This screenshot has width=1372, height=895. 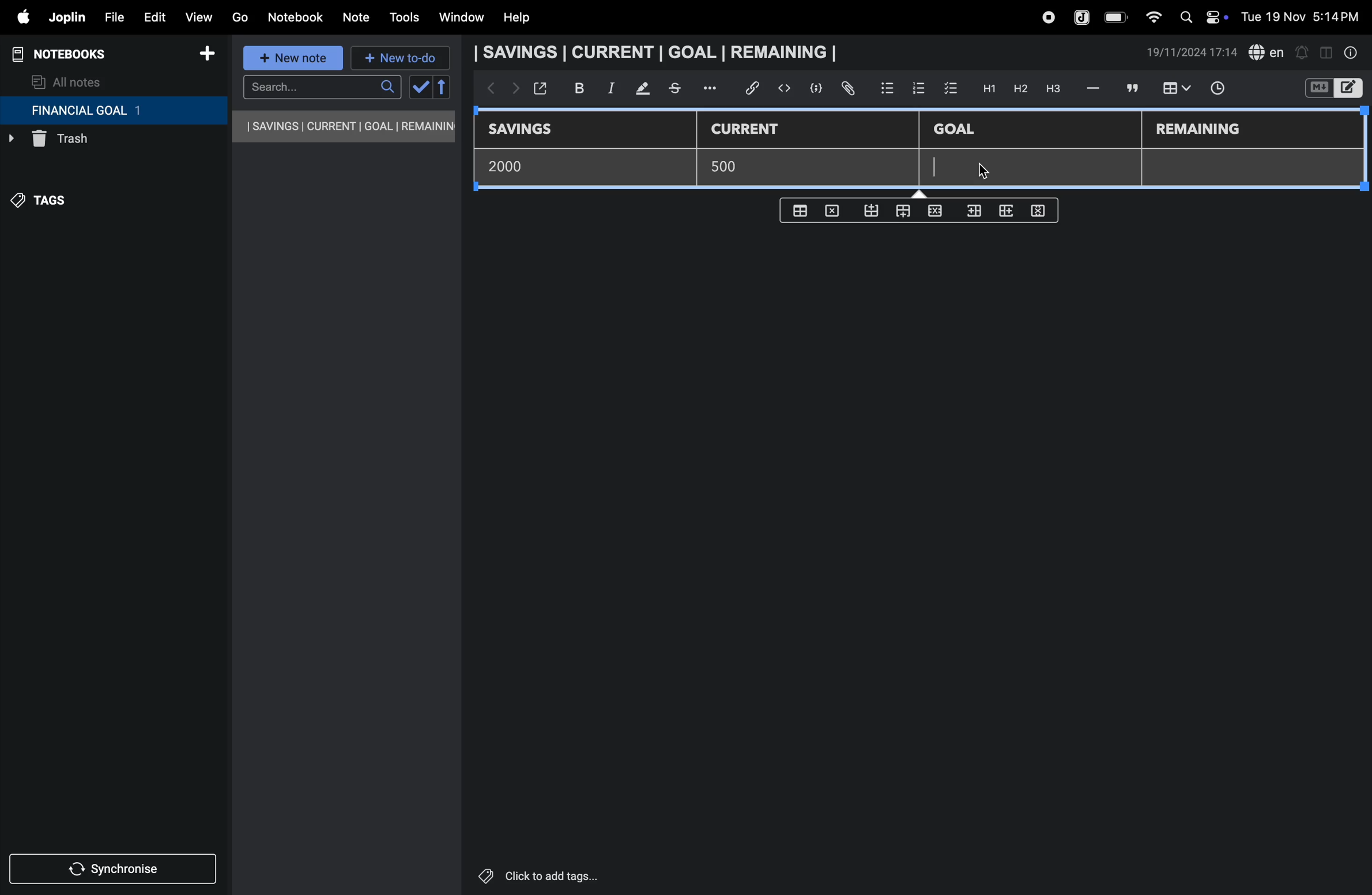 I want to click on code block, so click(x=812, y=88).